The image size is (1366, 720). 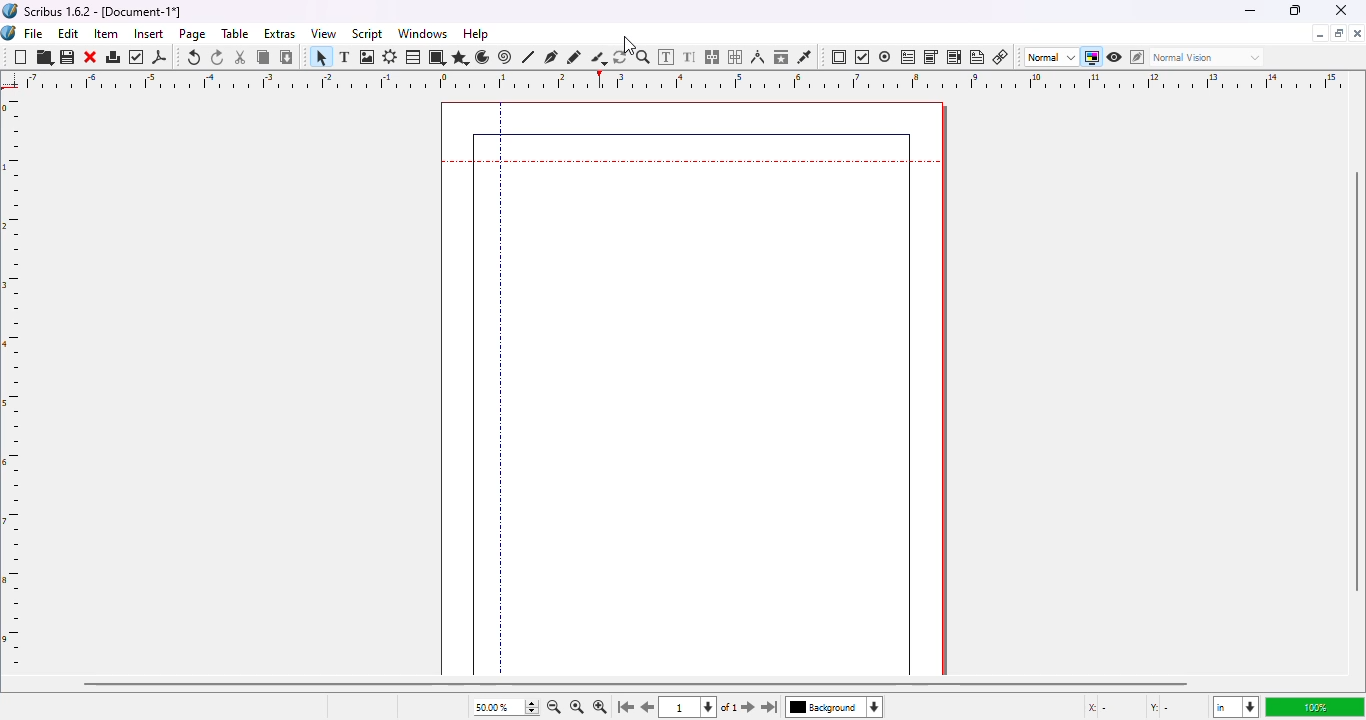 What do you see at coordinates (45, 58) in the screenshot?
I see `open` at bounding box center [45, 58].